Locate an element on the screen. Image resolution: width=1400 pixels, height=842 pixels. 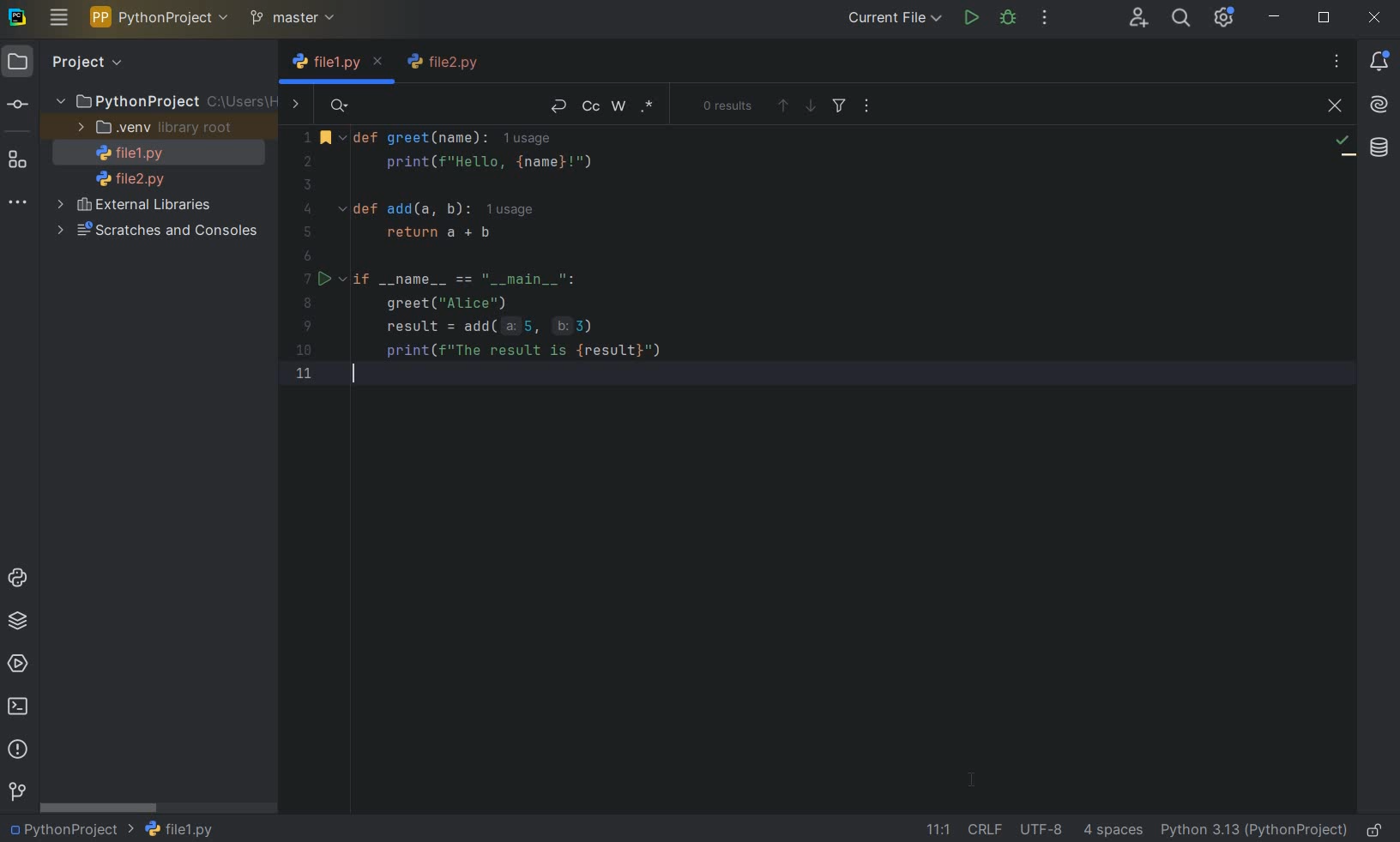
FILE NAME 1 is located at coordinates (124, 154).